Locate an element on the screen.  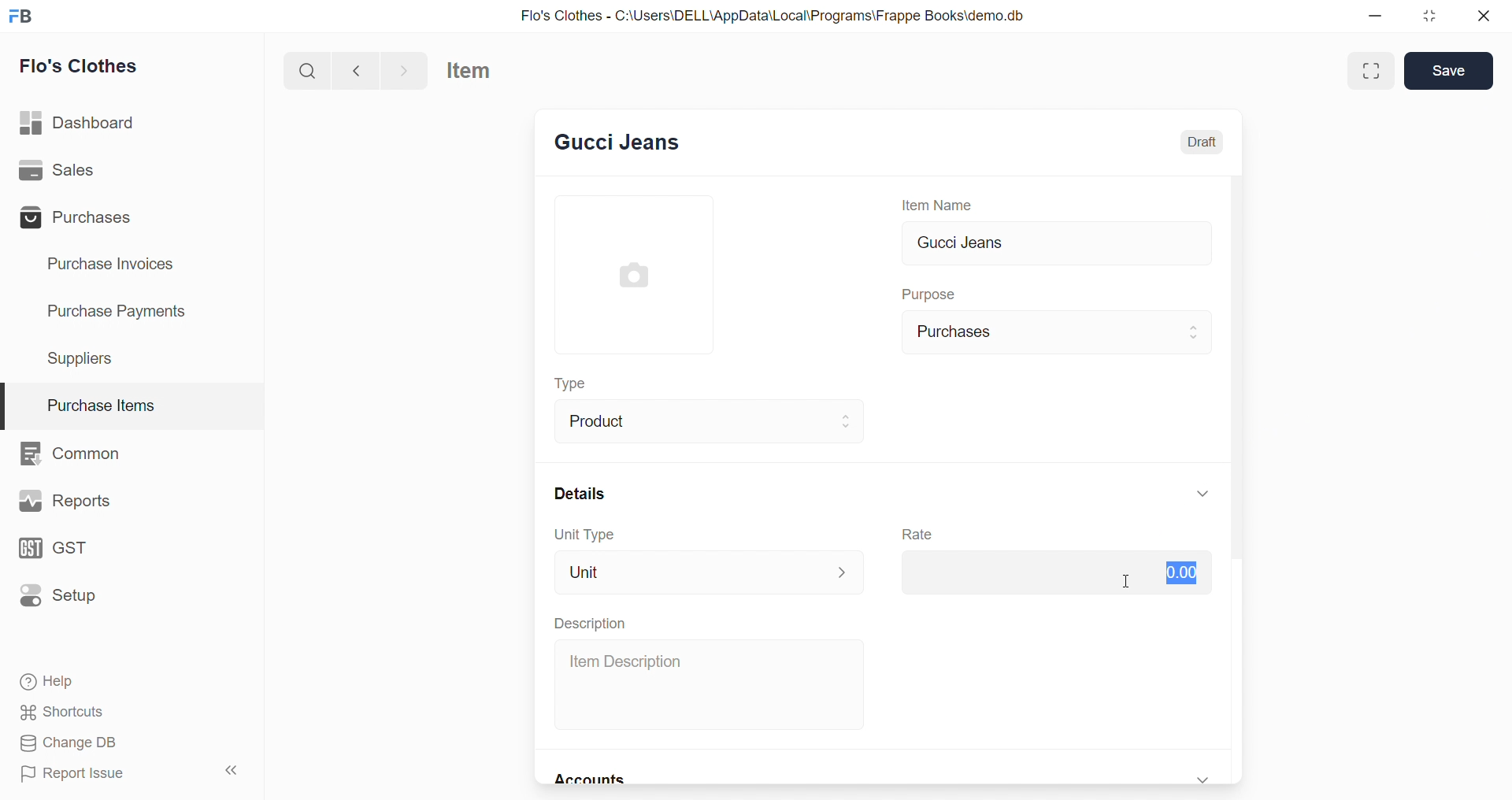
Unit is located at coordinates (710, 572).